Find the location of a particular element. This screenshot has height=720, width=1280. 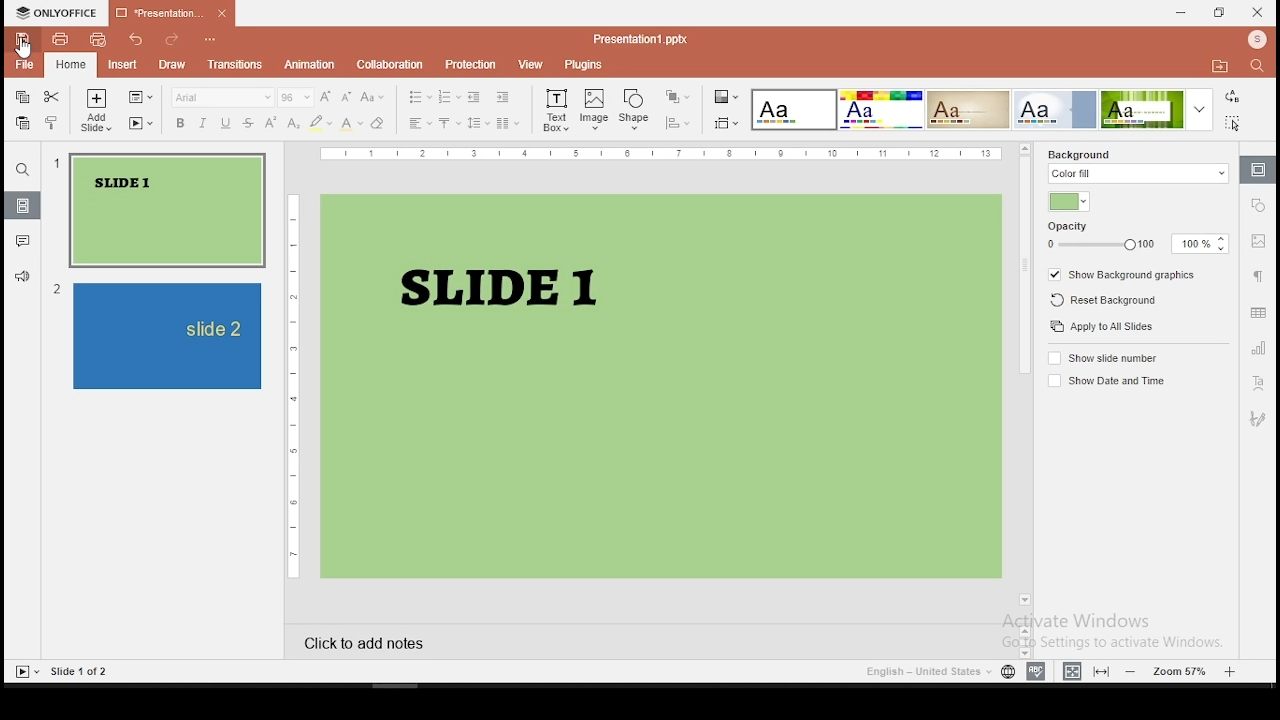

superscript is located at coordinates (270, 121).